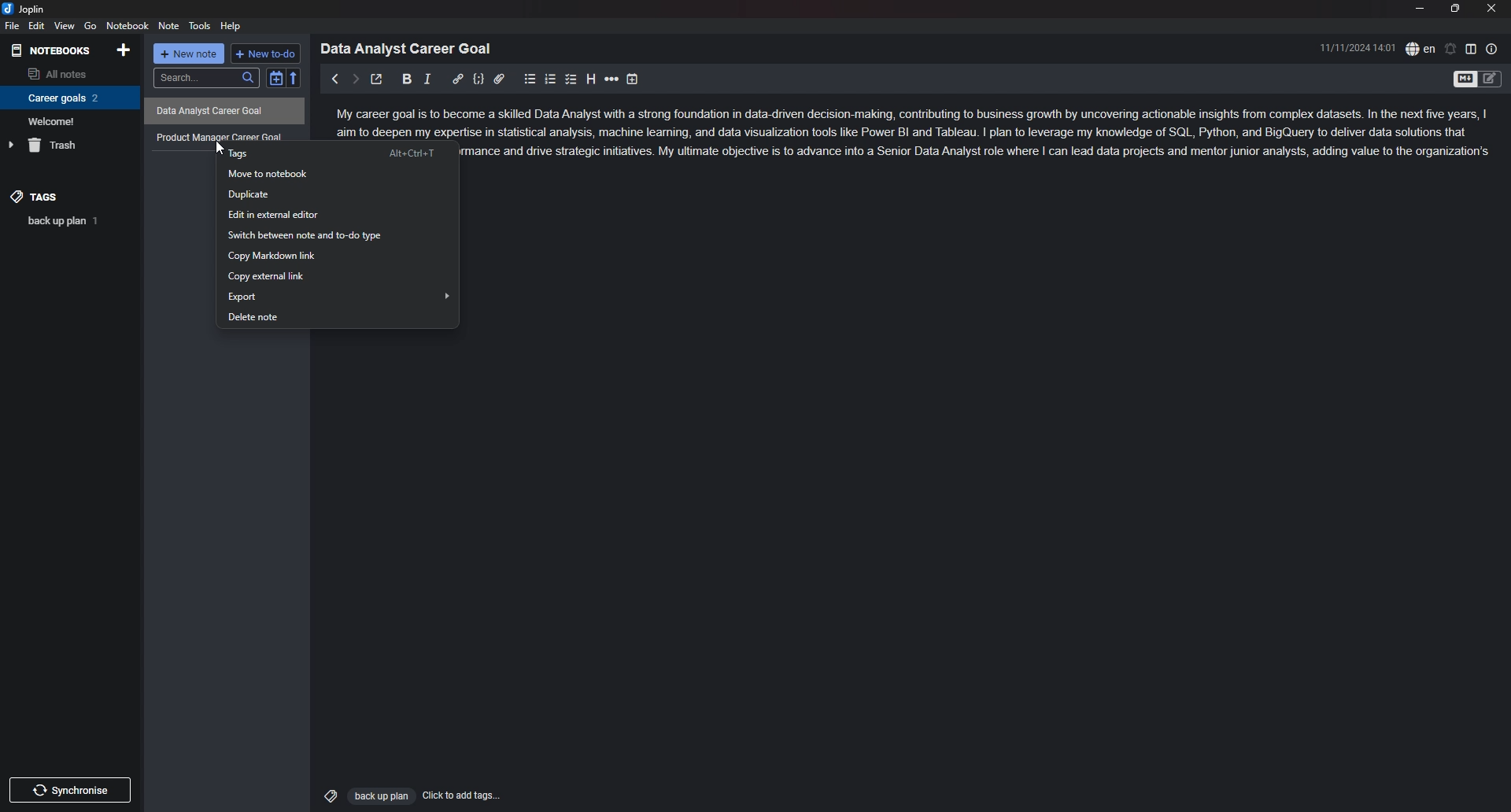 This screenshot has height=812, width=1511. What do you see at coordinates (69, 197) in the screenshot?
I see `tags` at bounding box center [69, 197].